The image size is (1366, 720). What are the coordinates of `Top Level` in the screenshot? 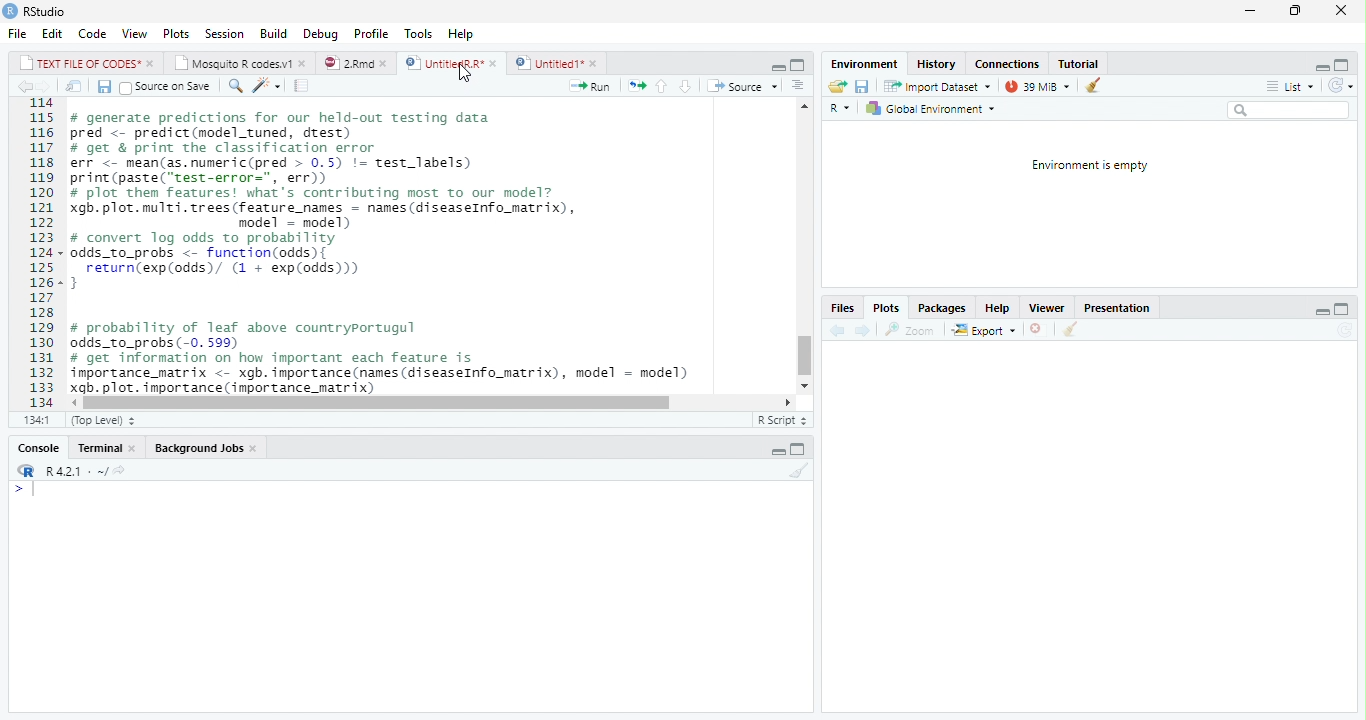 It's located at (105, 419).